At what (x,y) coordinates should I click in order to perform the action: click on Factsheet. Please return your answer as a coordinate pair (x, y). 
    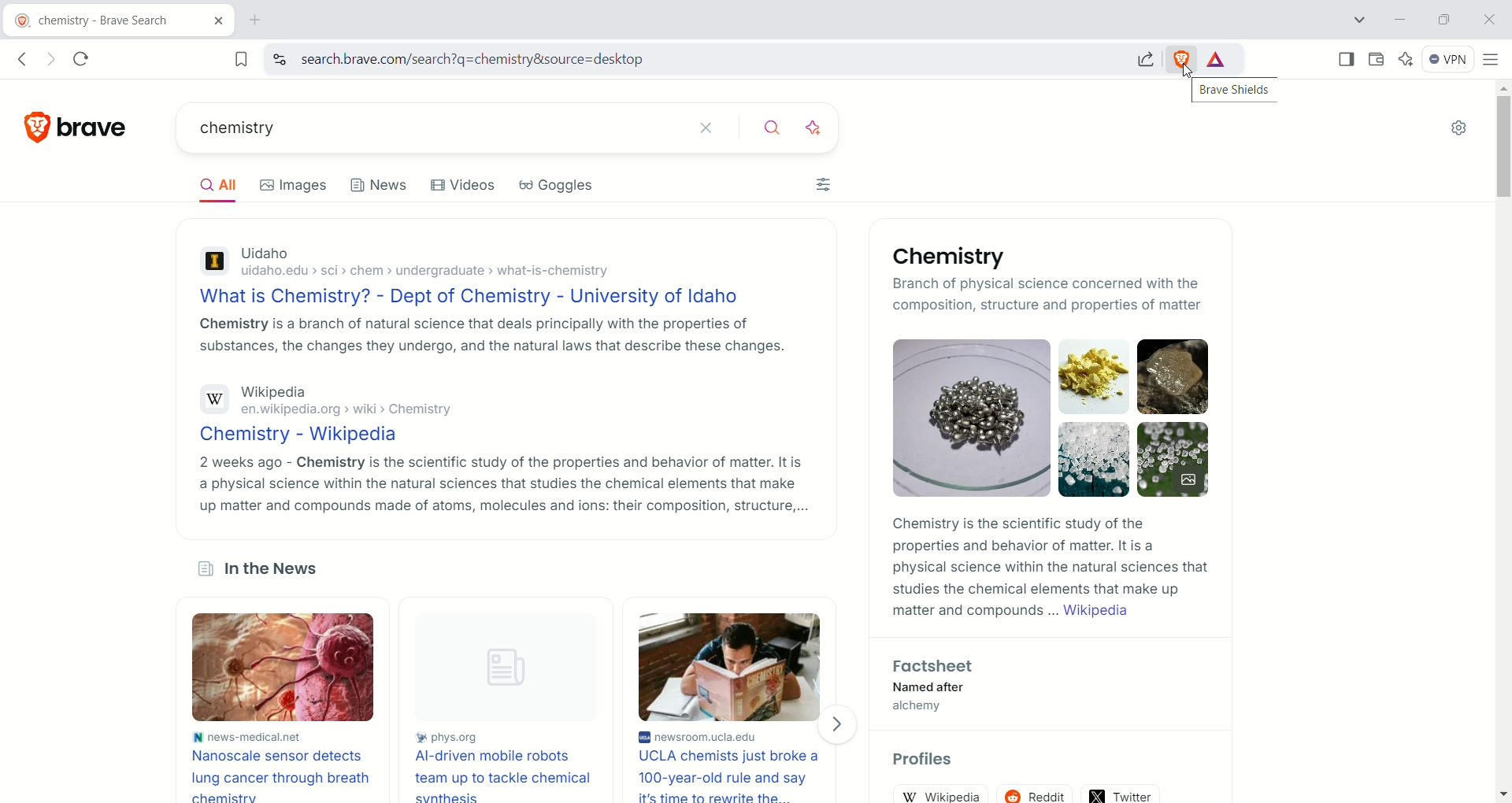
    Looking at the image, I should click on (939, 666).